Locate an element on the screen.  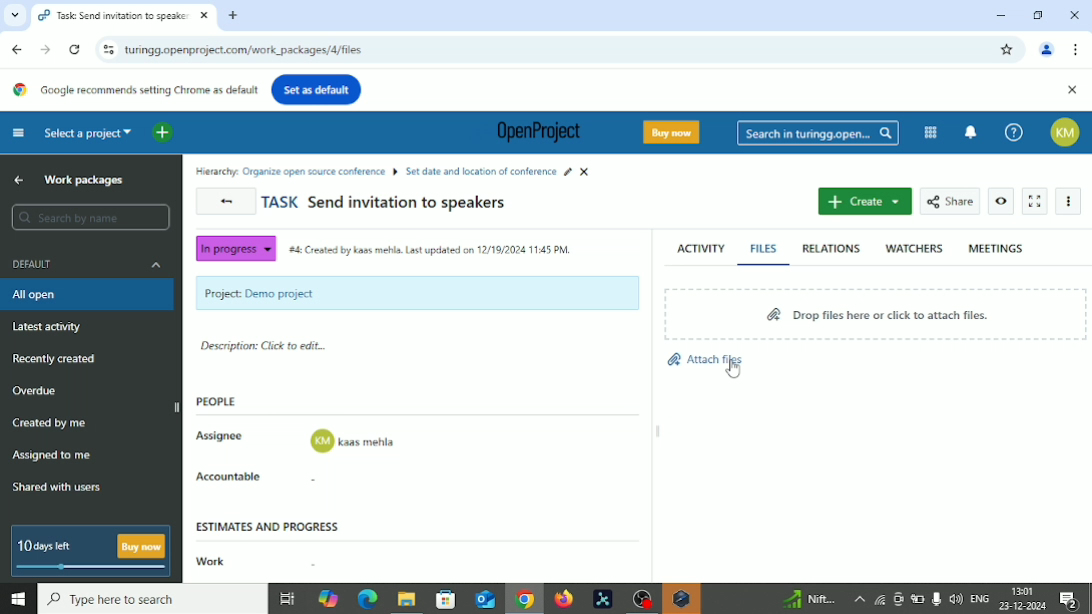
Drop files here or click to attach files is located at coordinates (877, 314).